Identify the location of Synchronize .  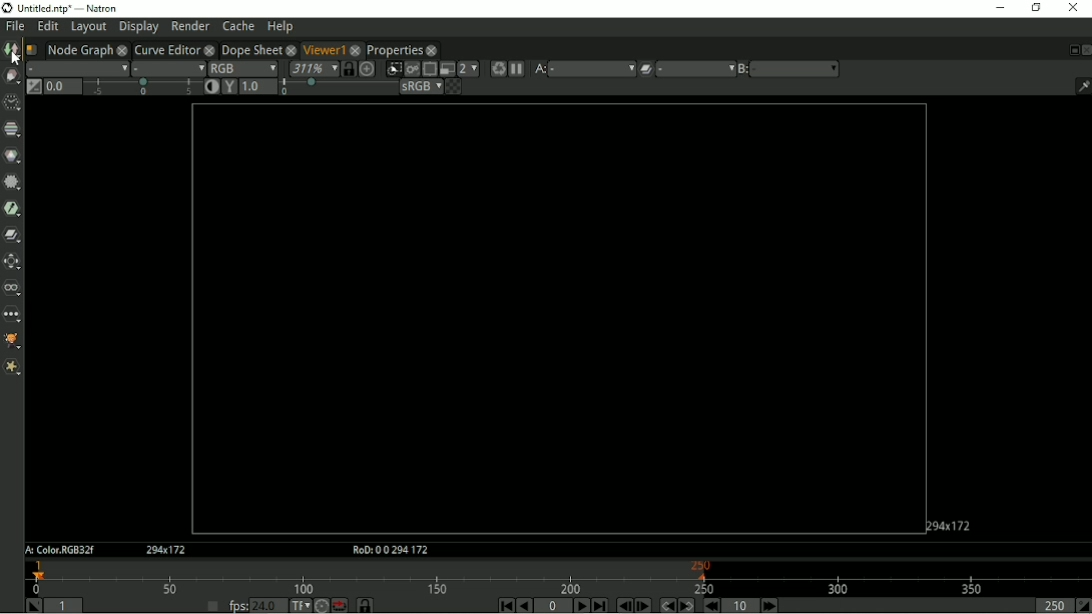
(348, 68).